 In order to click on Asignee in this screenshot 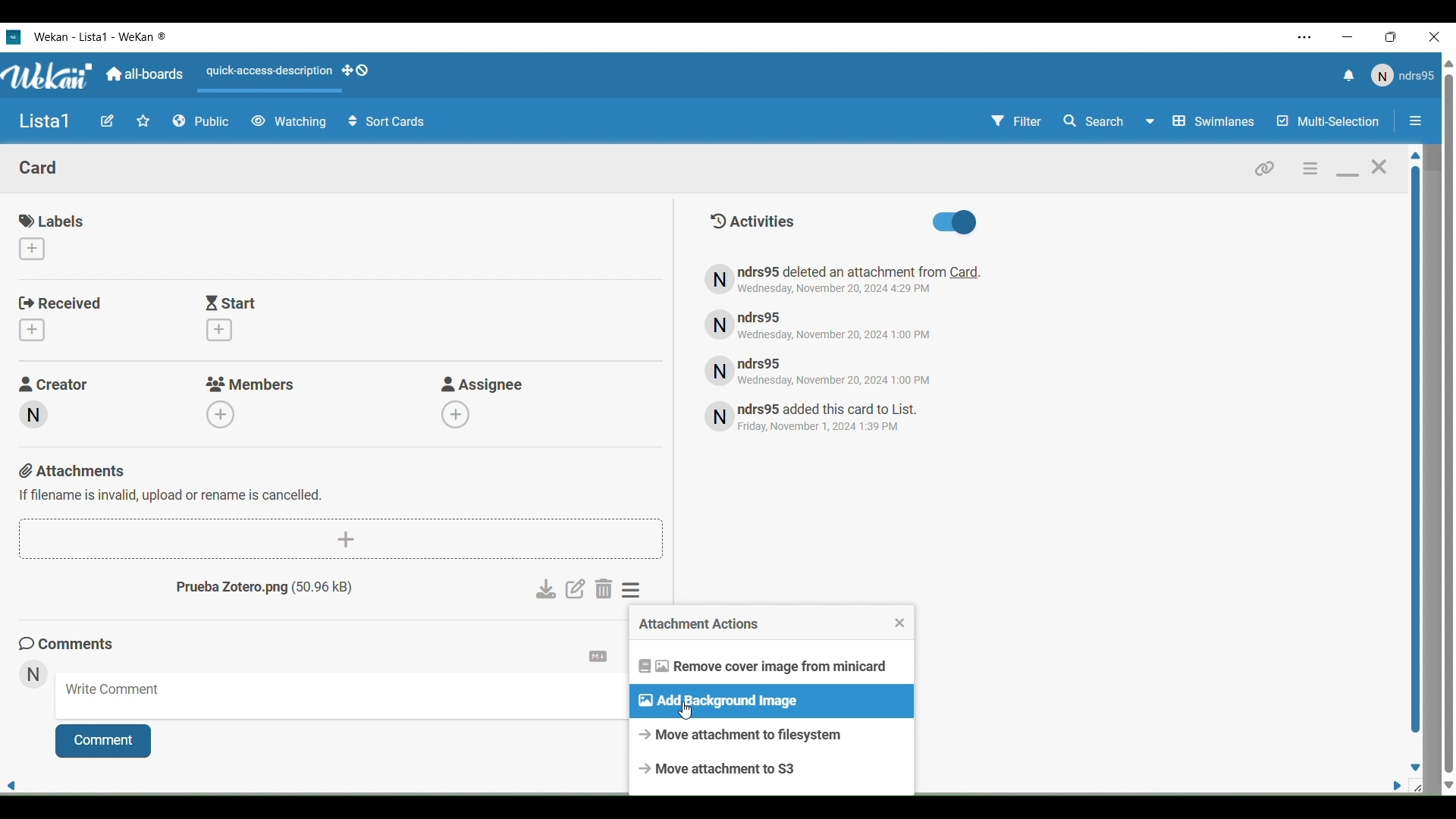, I will do `click(488, 384)`.